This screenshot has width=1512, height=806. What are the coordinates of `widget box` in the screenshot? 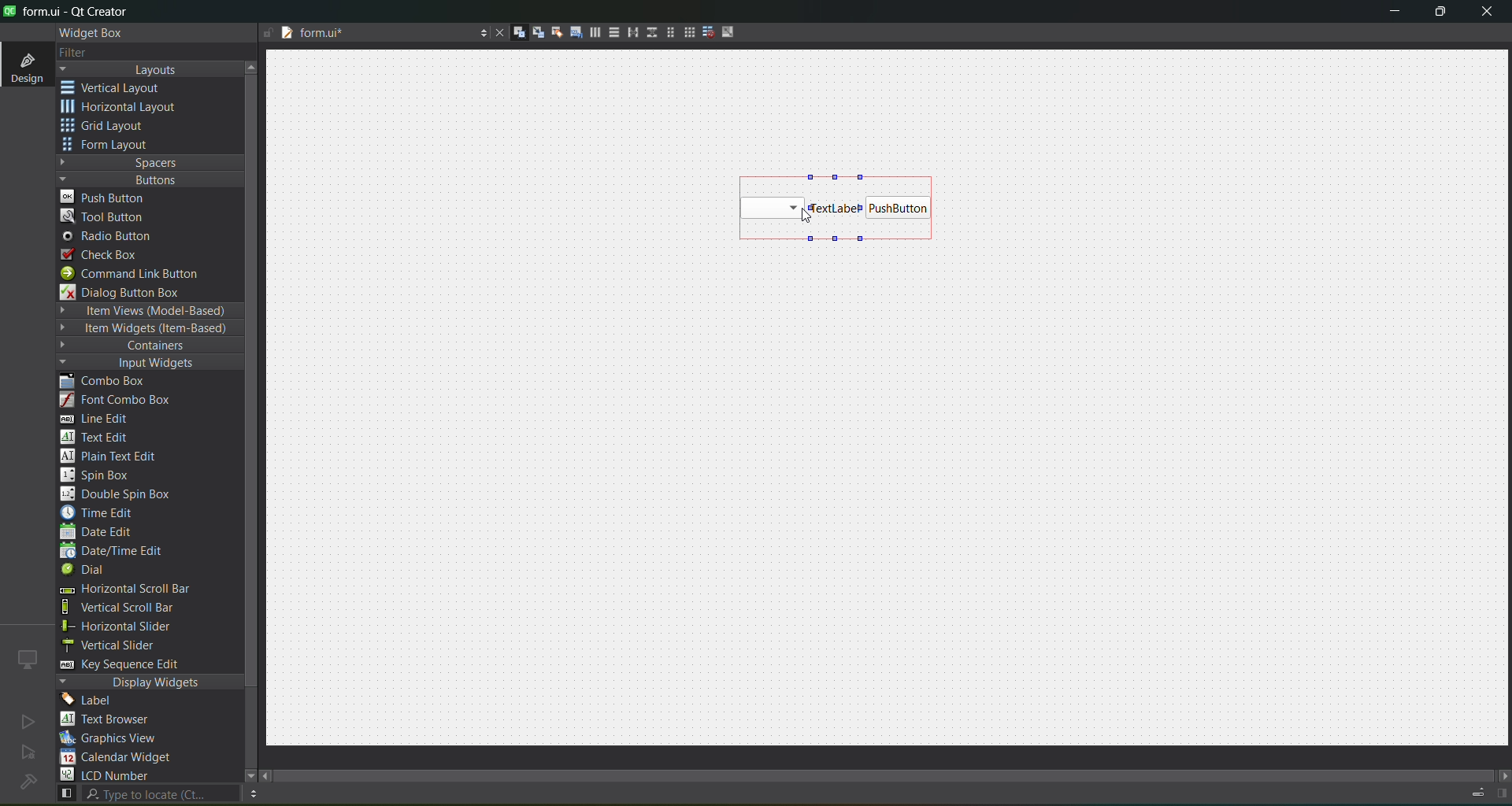 It's located at (94, 33).